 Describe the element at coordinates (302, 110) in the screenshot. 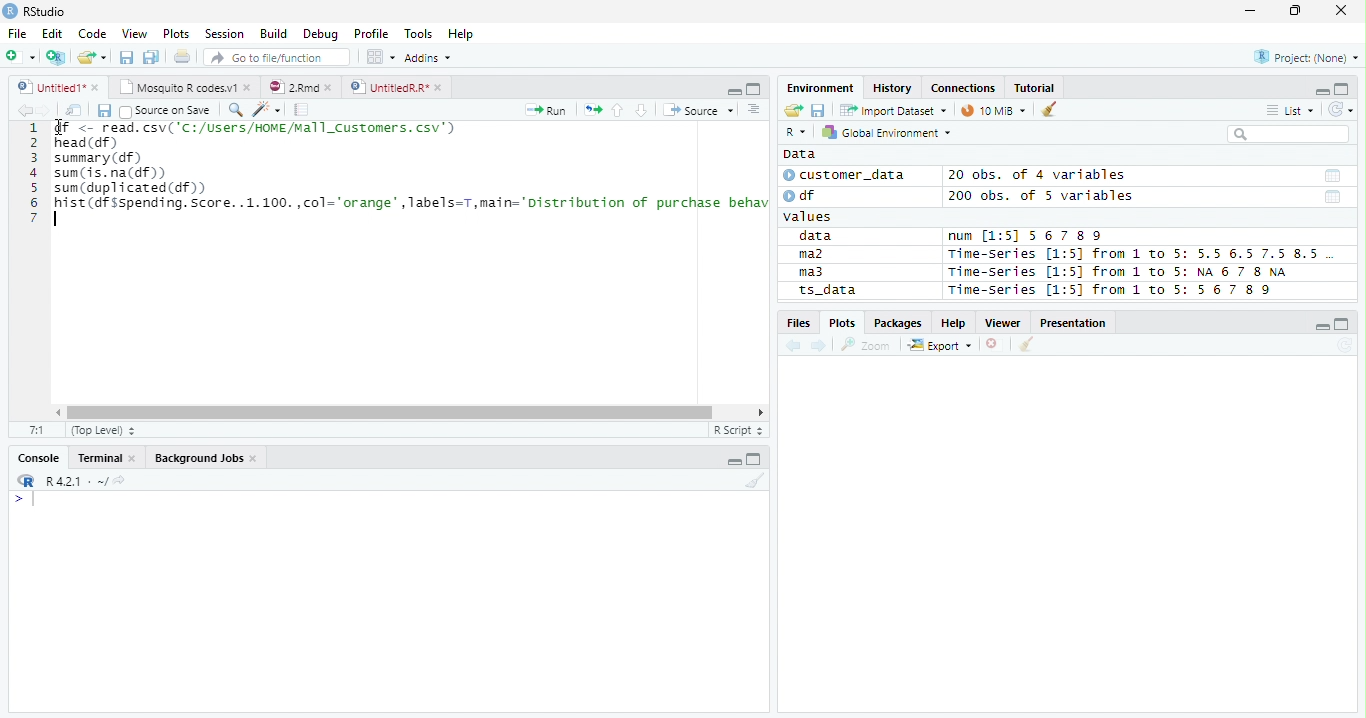

I see `Compile Report` at that location.